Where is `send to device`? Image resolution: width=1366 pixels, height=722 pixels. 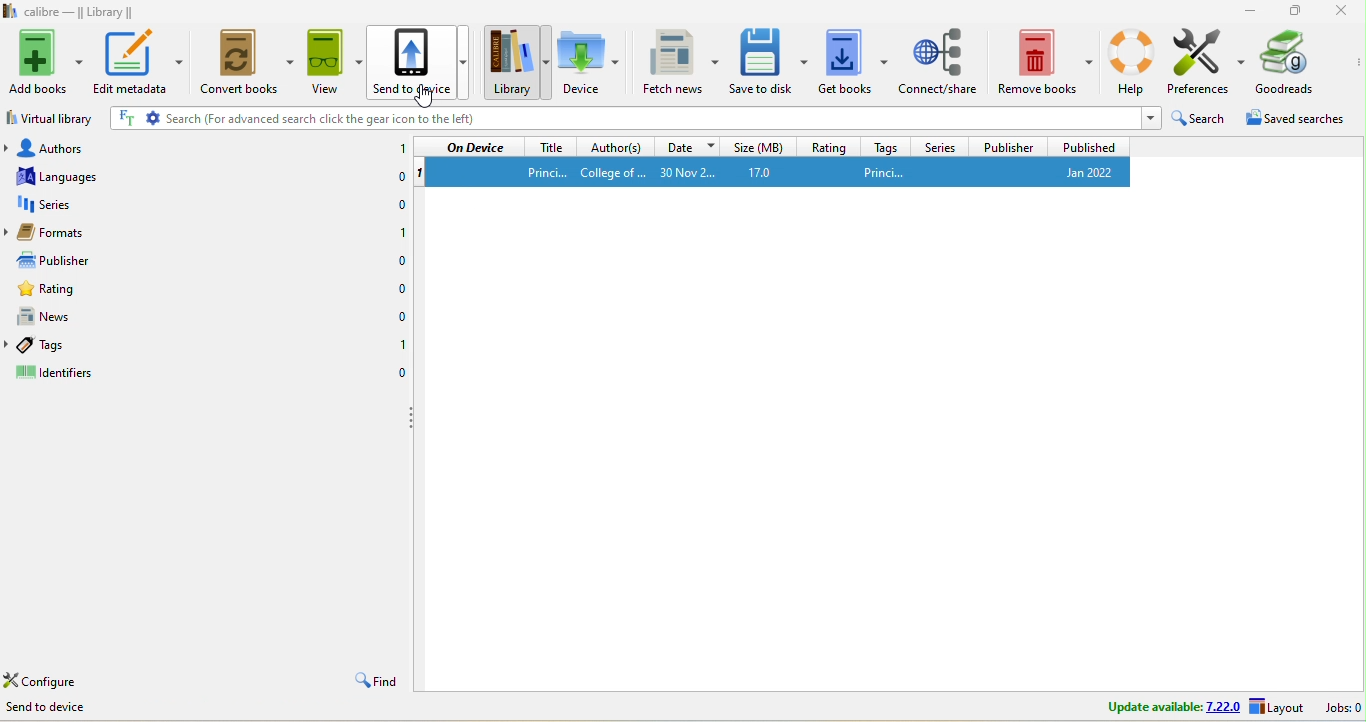
send to device is located at coordinates (55, 705).